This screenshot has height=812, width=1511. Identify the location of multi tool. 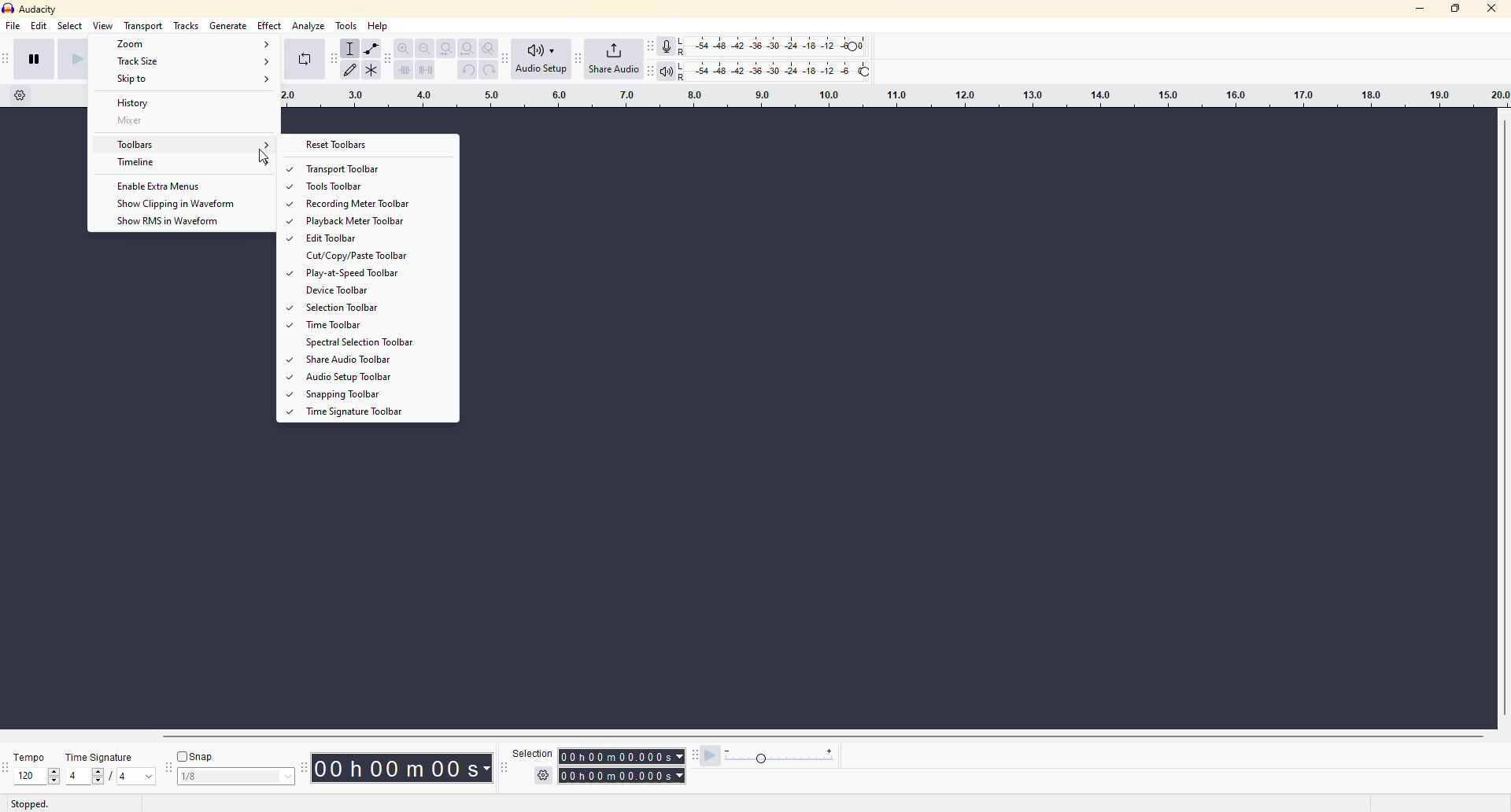
(373, 69).